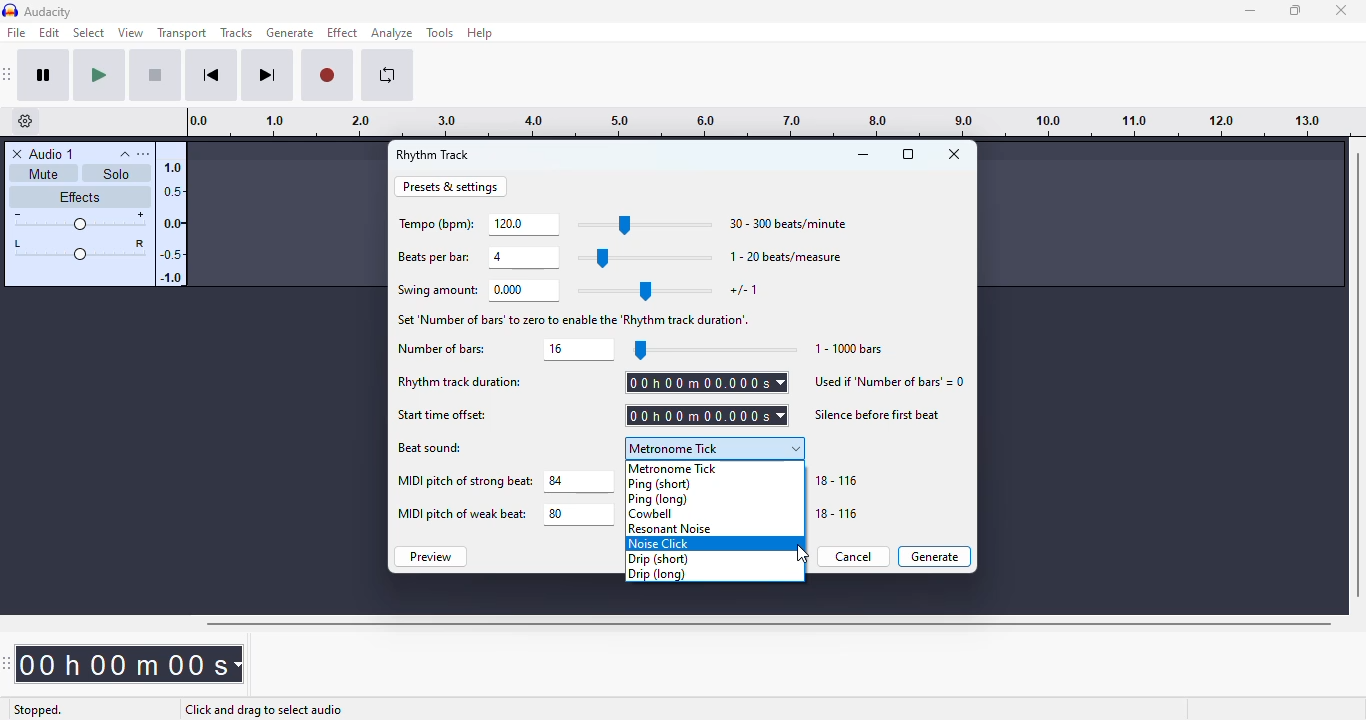 The width and height of the screenshot is (1366, 720). What do you see at coordinates (430, 448) in the screenshot?
I see `beat sound: ` at bounding box center [430, 448].